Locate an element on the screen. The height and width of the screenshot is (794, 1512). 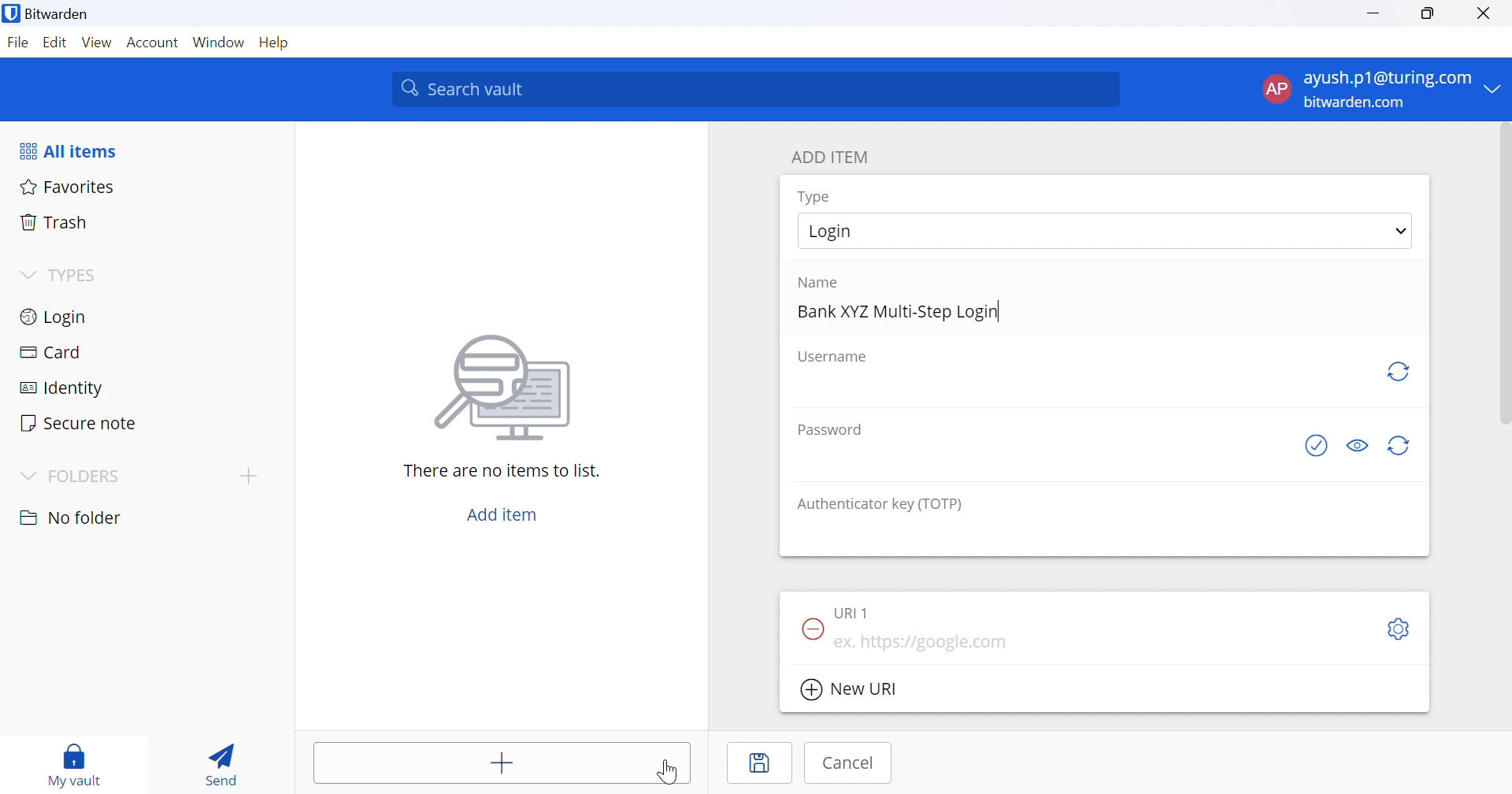
Drop Down is located at coordinates (1497, 90).